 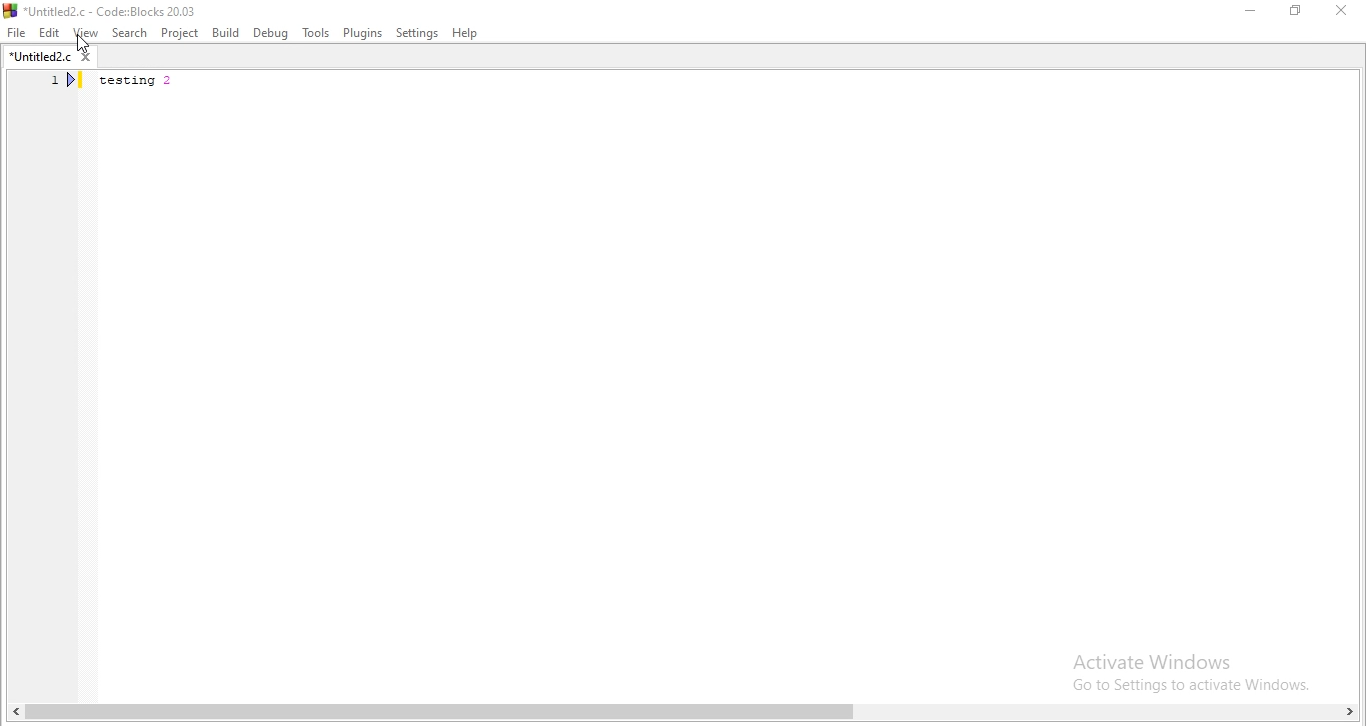 What do you see at coordinates (55, 166) in the screenshot?
I see `line number` at bounding box center [55, 166].